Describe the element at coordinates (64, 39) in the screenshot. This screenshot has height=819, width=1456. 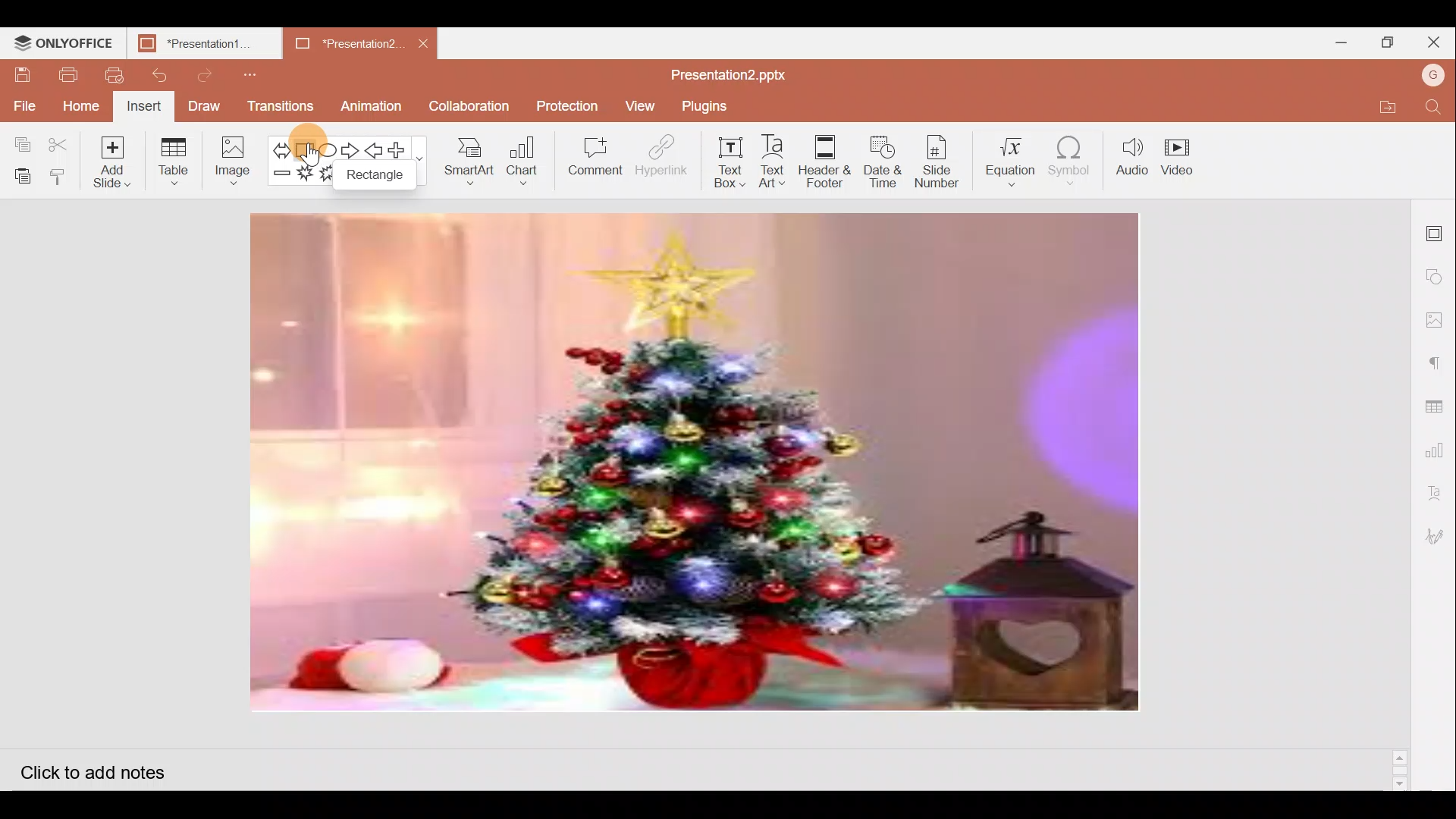
I see `ONLYOFFICE` at that location.